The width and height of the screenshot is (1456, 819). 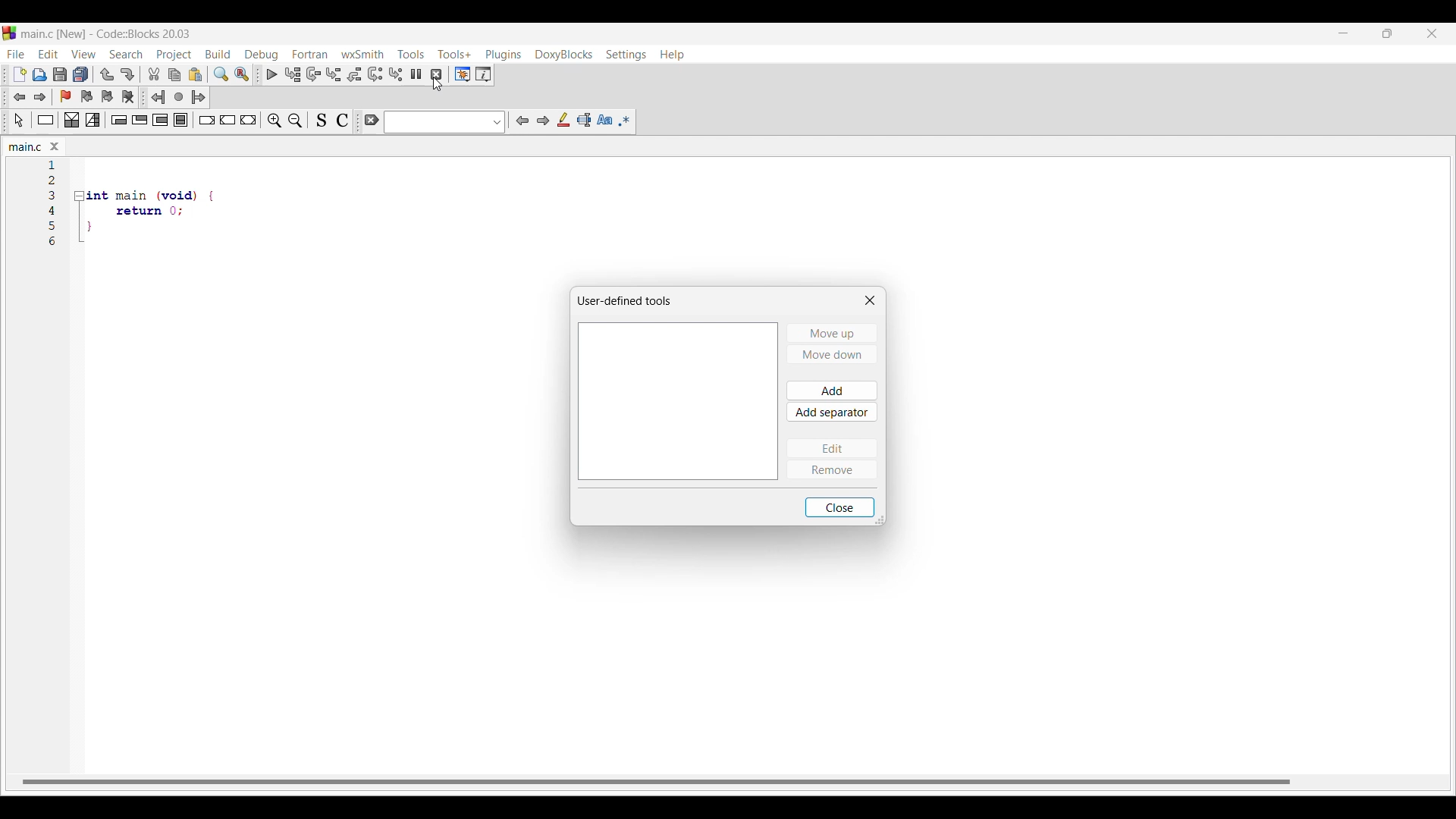 What do you see at coordinates (454, 54) in the screenshot?
I see `Tools+ menu` at bounding box center [454, 54].